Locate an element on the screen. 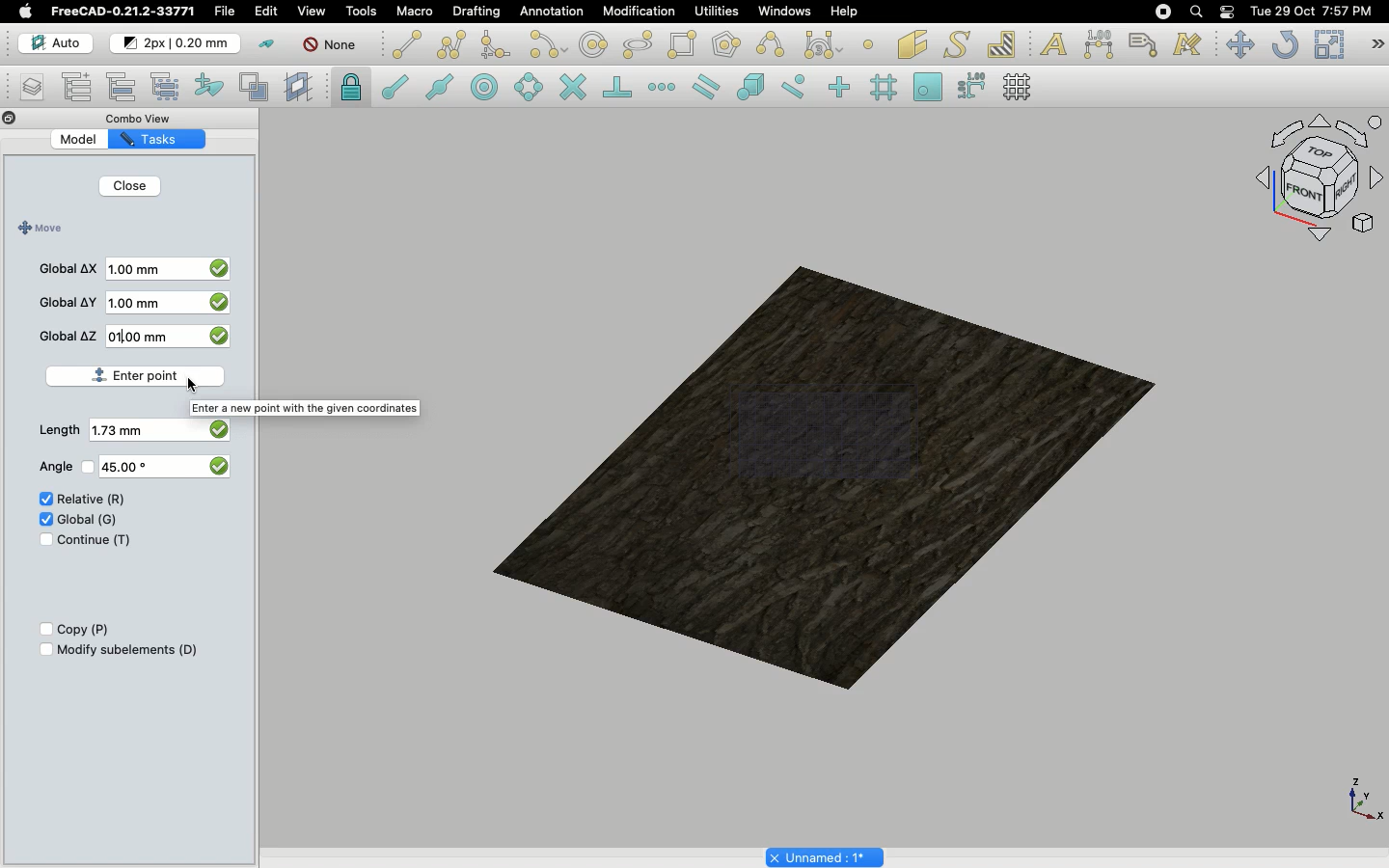 The width and height of the screenshot is (1389, 868). Model is located at coordinates (92, 140).